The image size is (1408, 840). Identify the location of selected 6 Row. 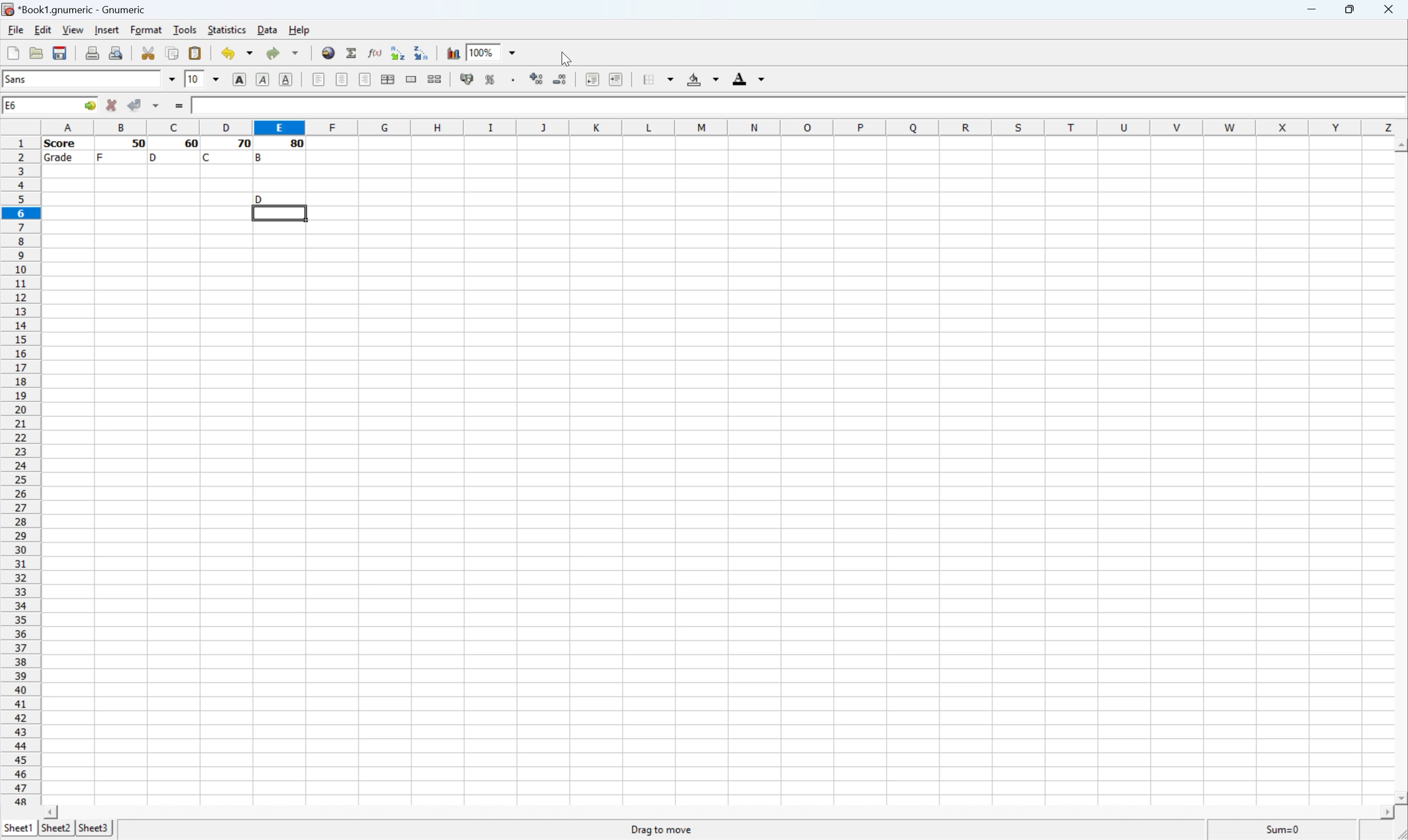
(19, 212).